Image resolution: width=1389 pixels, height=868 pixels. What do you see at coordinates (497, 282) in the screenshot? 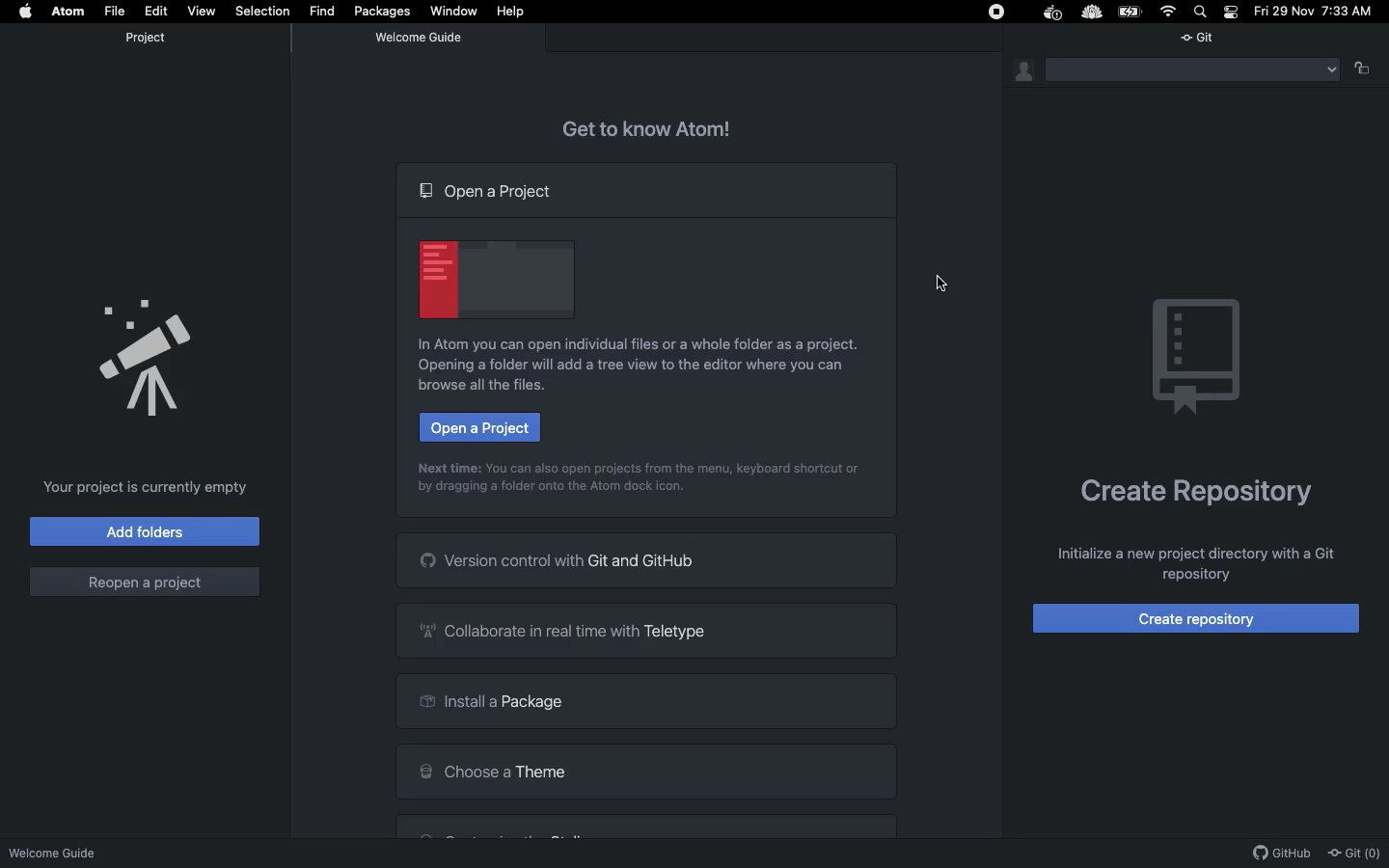
I see `Emblem` at bounding box center [497, 282].